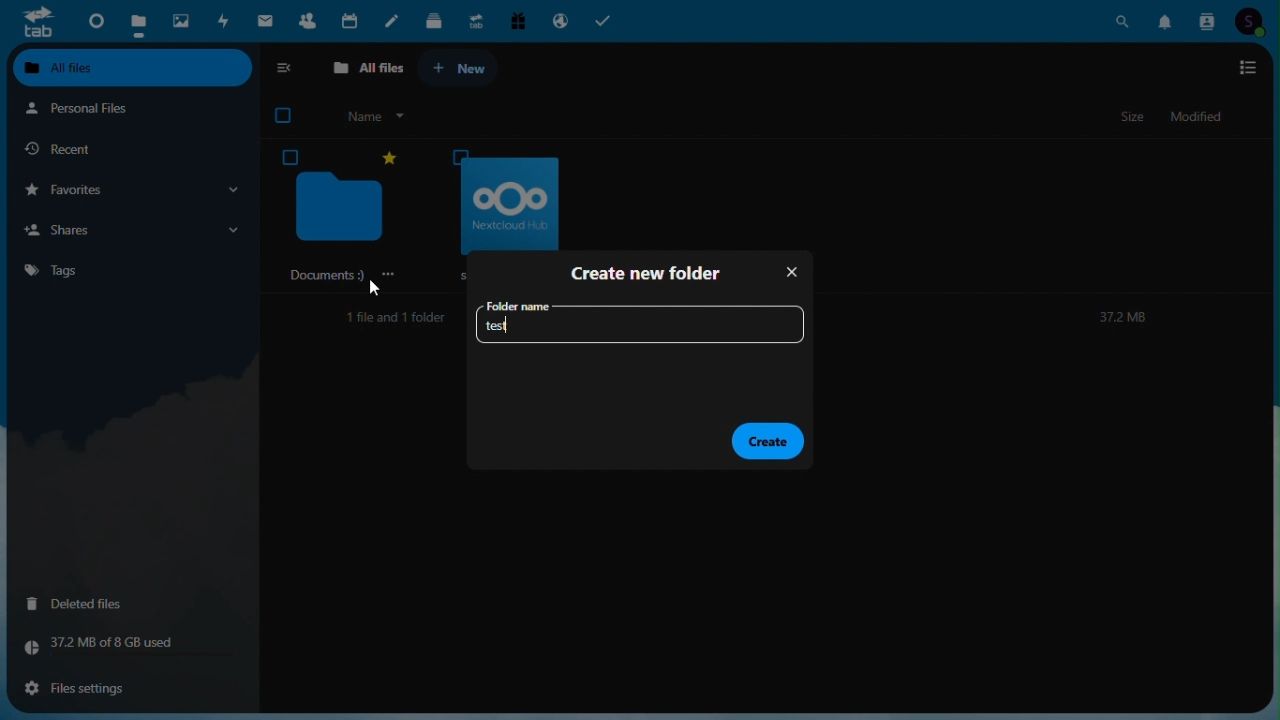 The width and height of the screenshot is (1280, 720). What do you see at coordinates (646, 273) in the screenshot?
I see `Create new folder` at bounding box center [646, 273].